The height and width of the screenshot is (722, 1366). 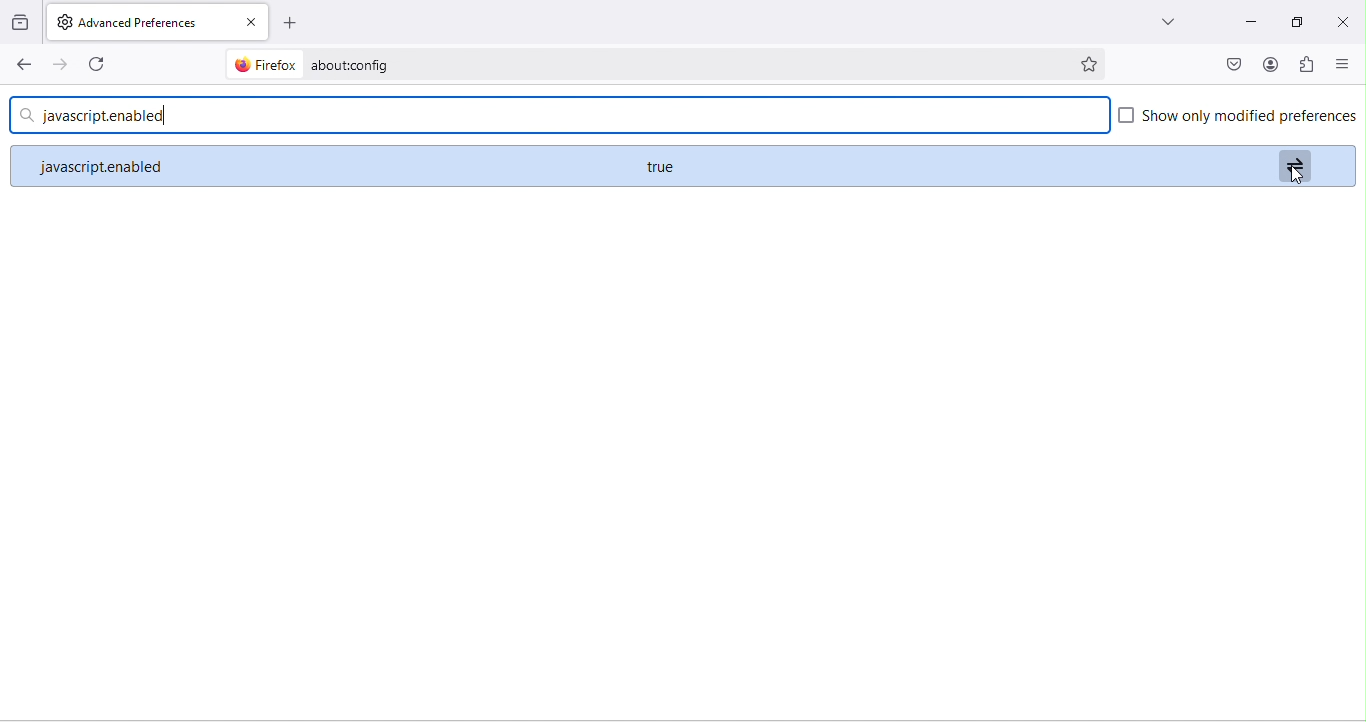 I want to click on javascript.enabled, so click(x=562, y=116).